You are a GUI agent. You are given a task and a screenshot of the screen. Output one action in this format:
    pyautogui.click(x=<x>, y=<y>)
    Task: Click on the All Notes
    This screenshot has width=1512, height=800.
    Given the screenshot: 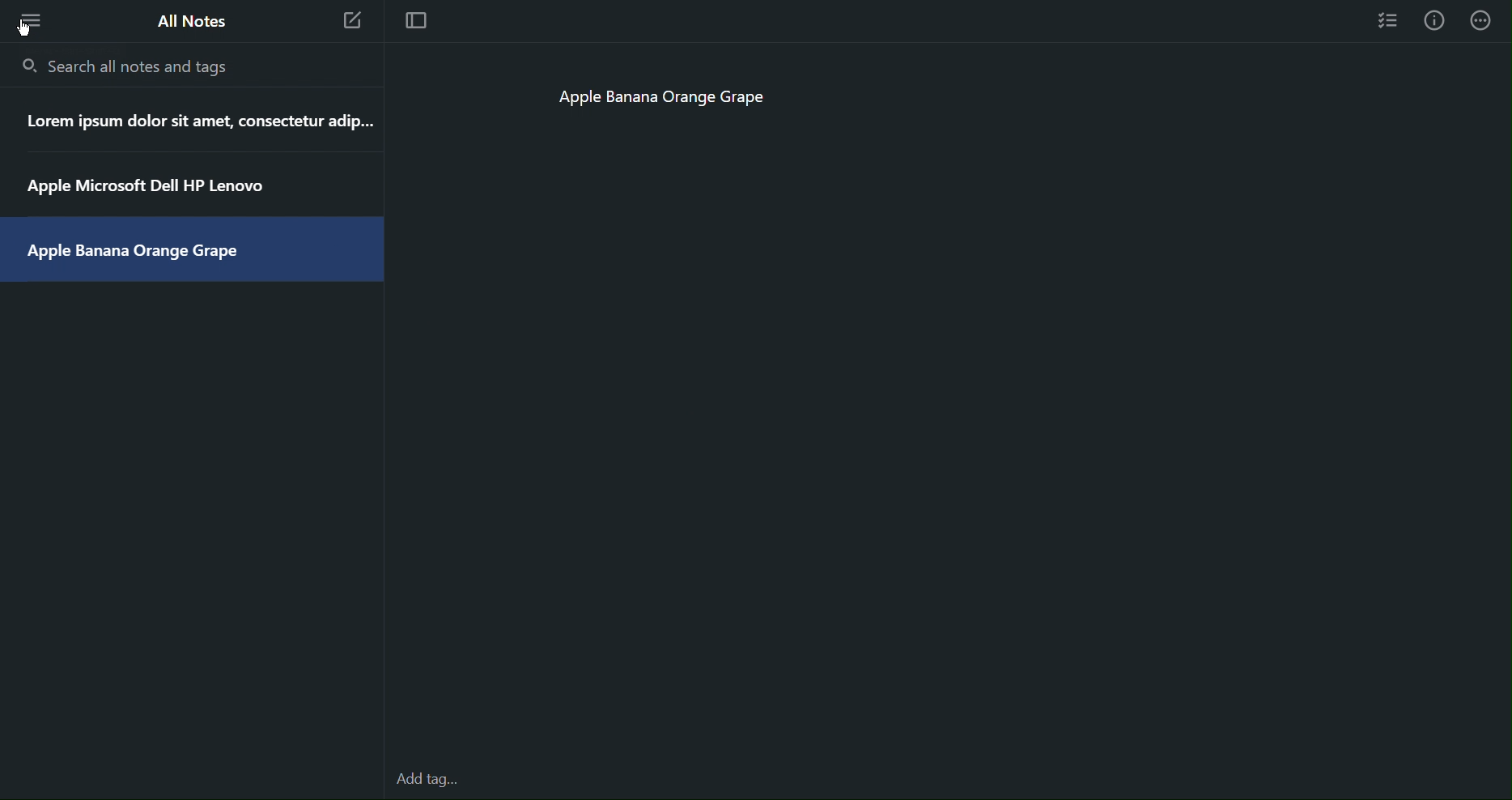 What is the action you would take?
    pyautogui.click(x=189, y=21)
    